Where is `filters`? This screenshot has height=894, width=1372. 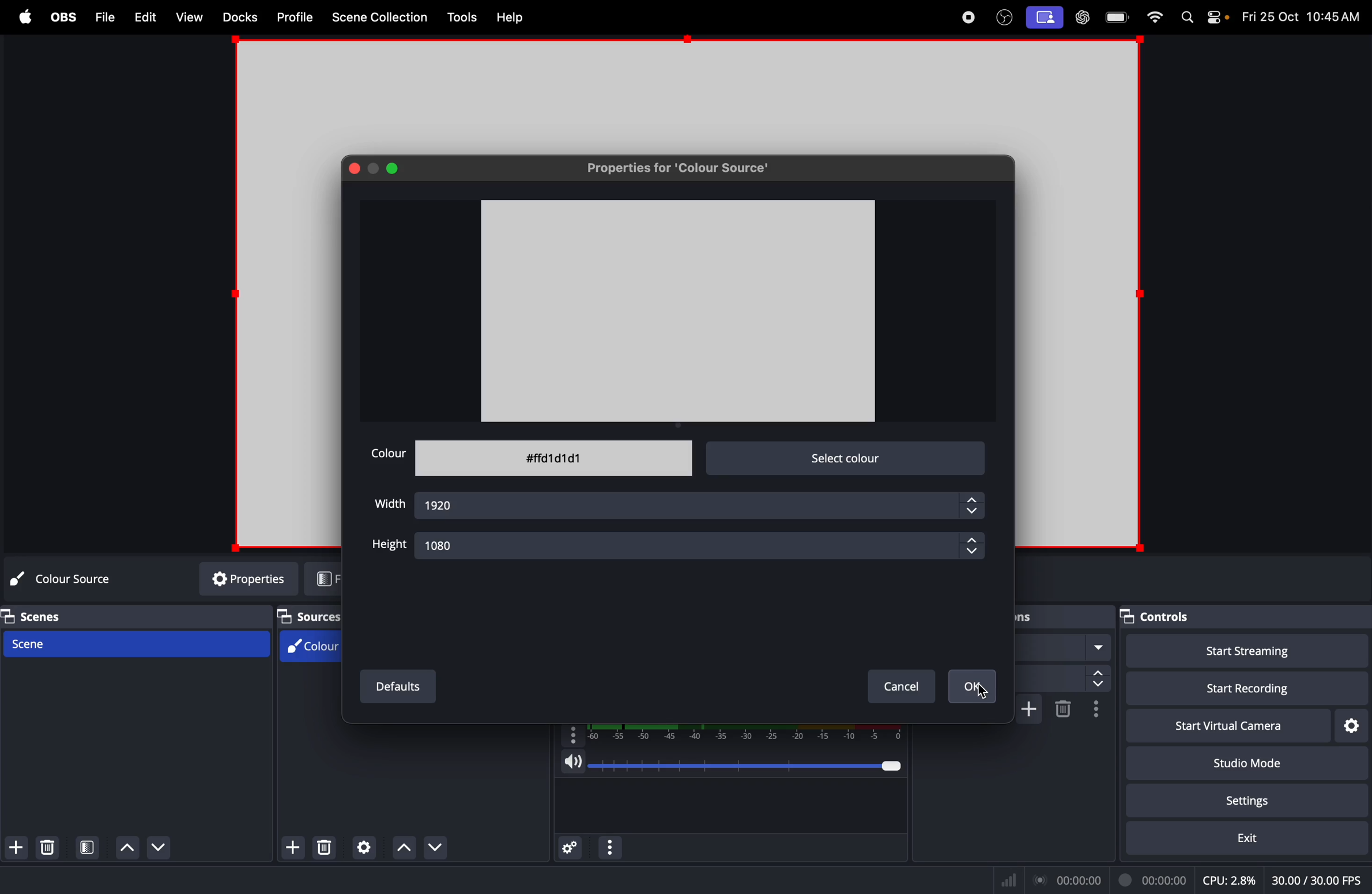 filters is located at coordinates (326, 579).